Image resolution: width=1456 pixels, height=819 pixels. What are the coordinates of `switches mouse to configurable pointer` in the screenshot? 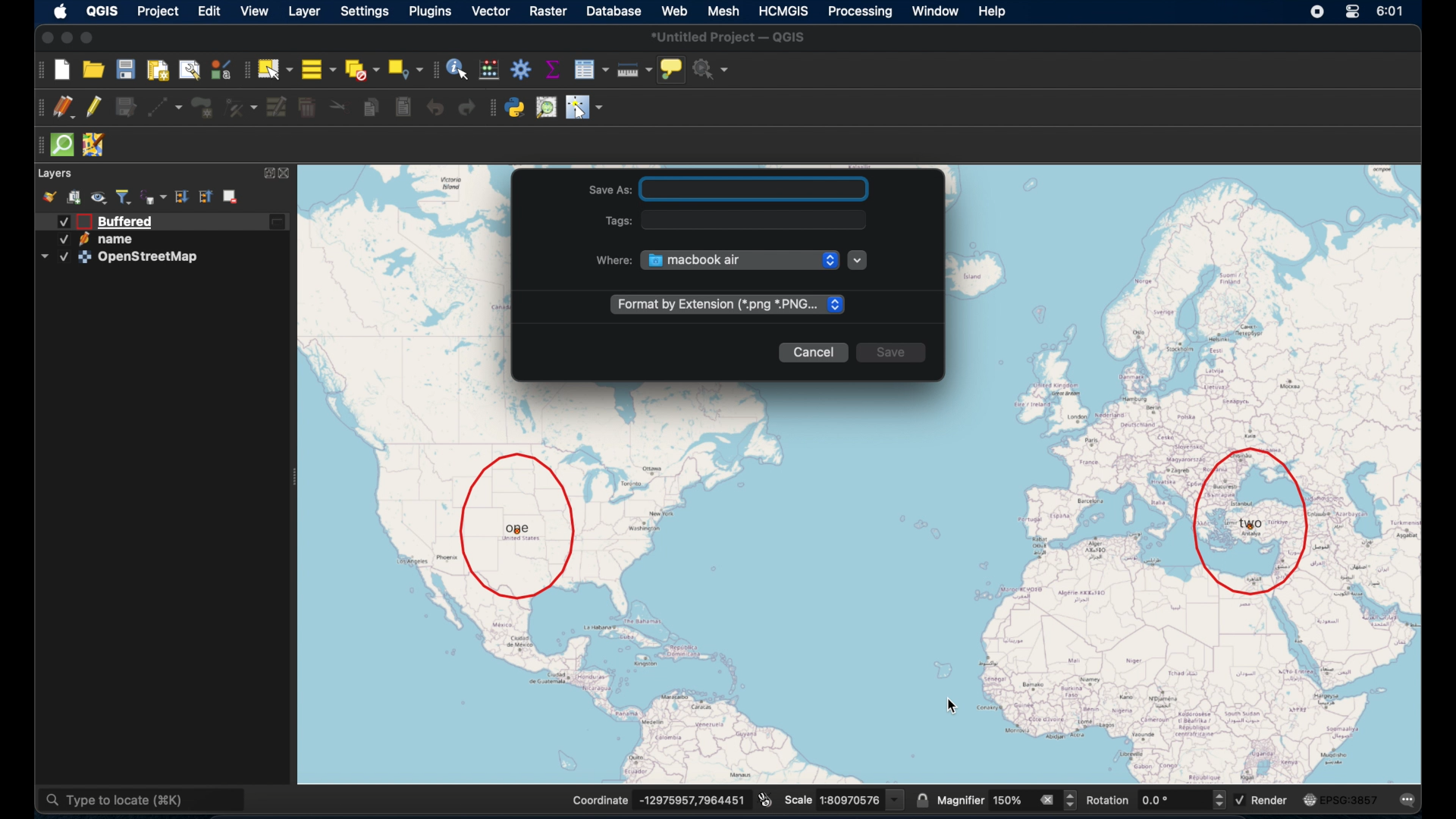 It's located at (585, 108).